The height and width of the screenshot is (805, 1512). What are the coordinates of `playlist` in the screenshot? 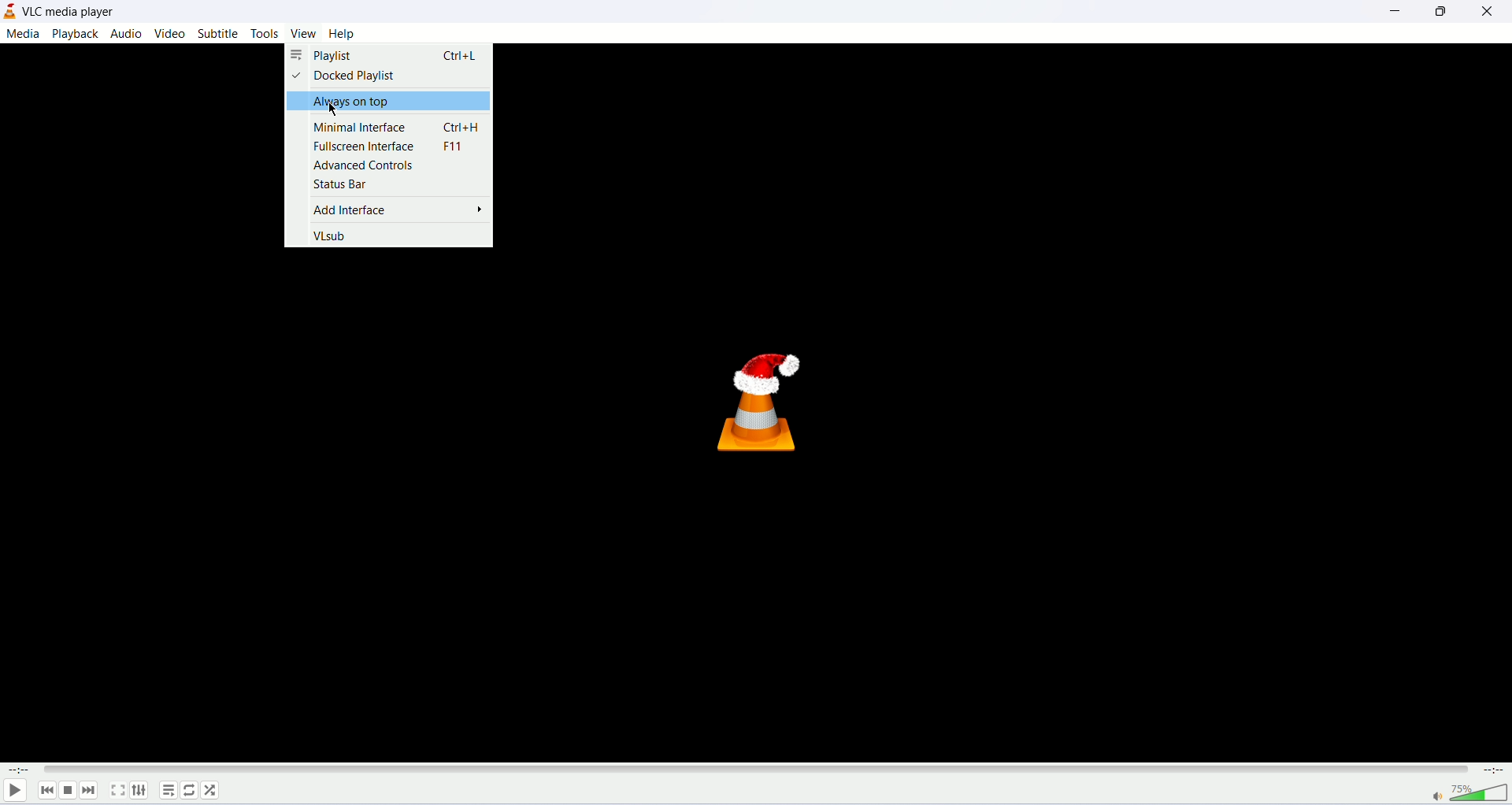 It's located at (167, 792).